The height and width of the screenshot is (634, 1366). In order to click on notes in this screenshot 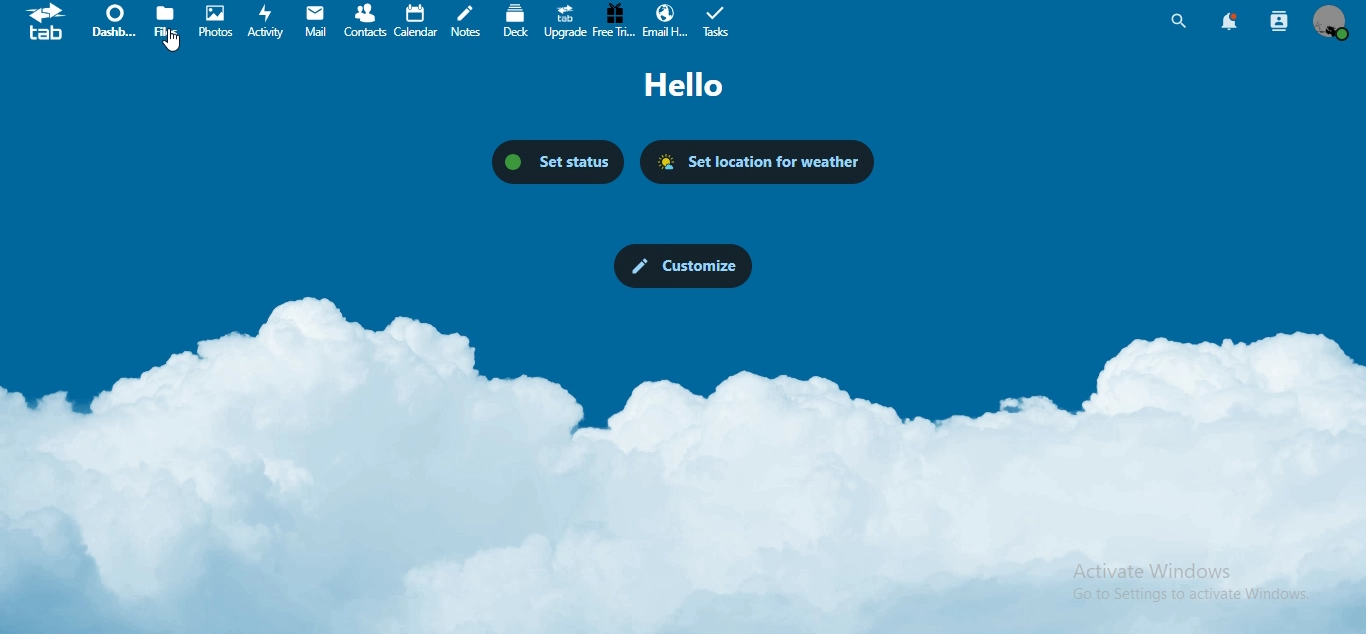, I will do `click(468, 20)`.